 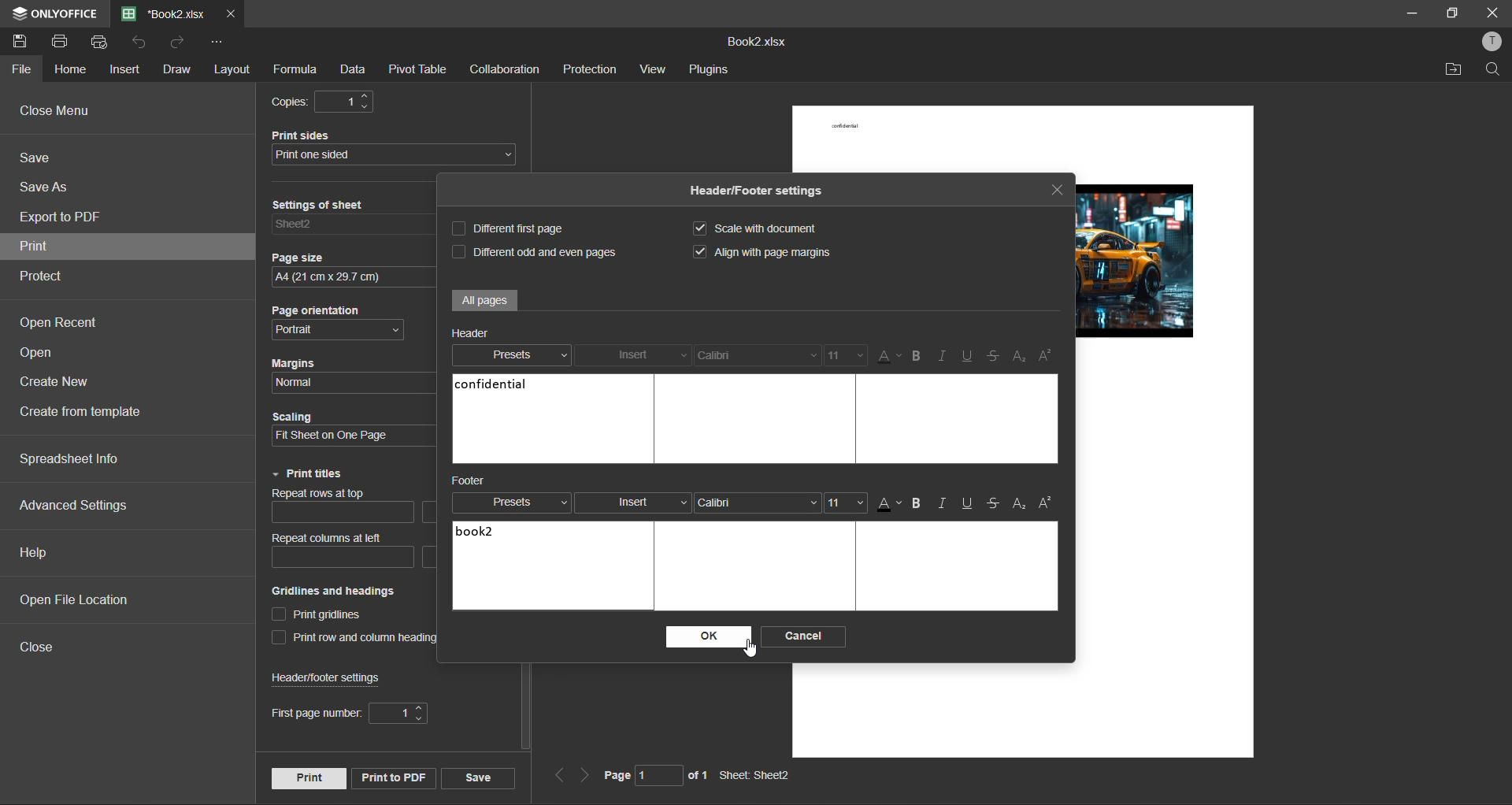 I want to click on font style, so click(x=759, y=354).